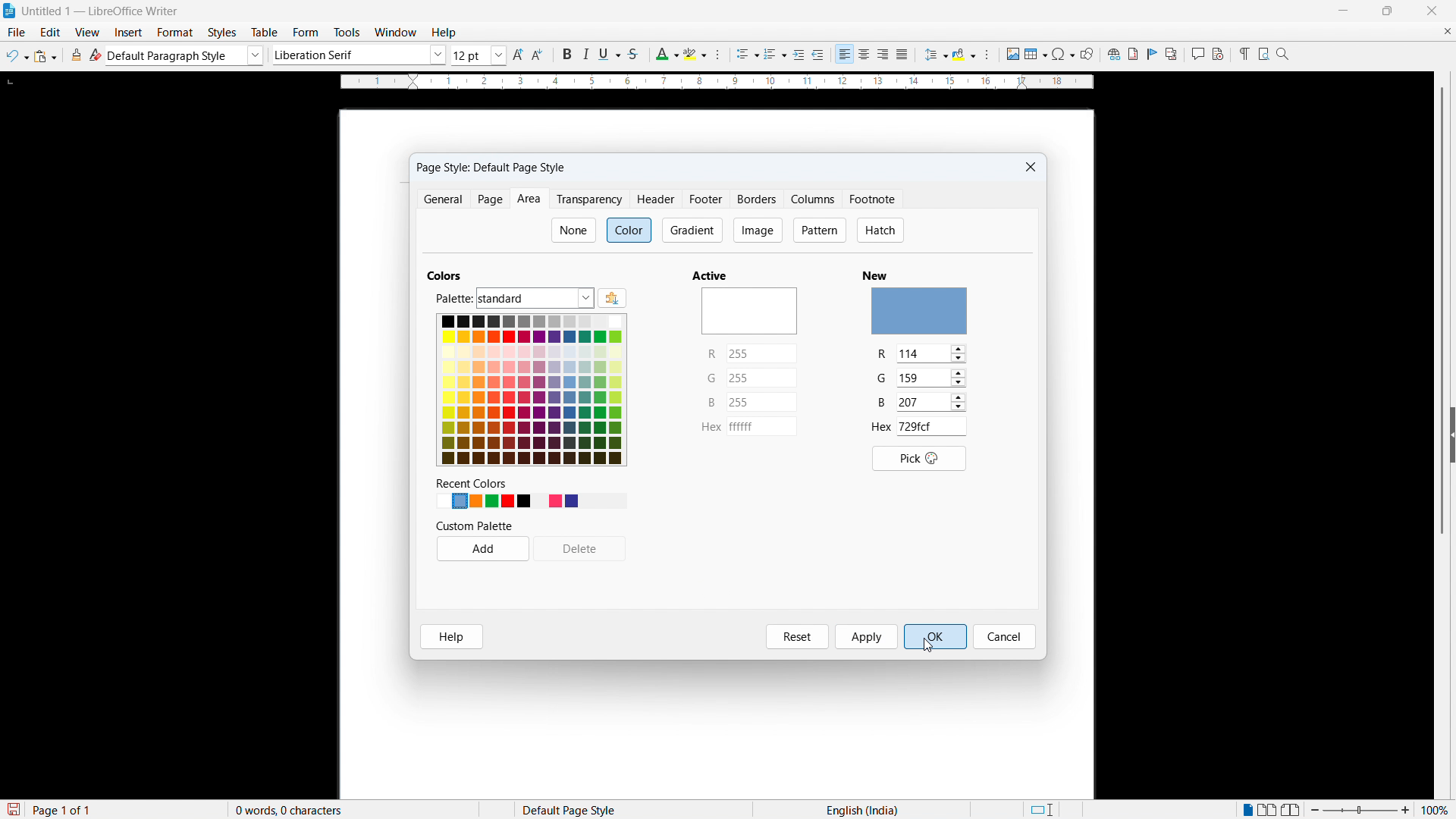 The width and height of the screenshot is (1456, 819). What do you see at coordinates (1342, 11) in the screenshot?
I see `minimise ` at bounding box center [1342, 11].